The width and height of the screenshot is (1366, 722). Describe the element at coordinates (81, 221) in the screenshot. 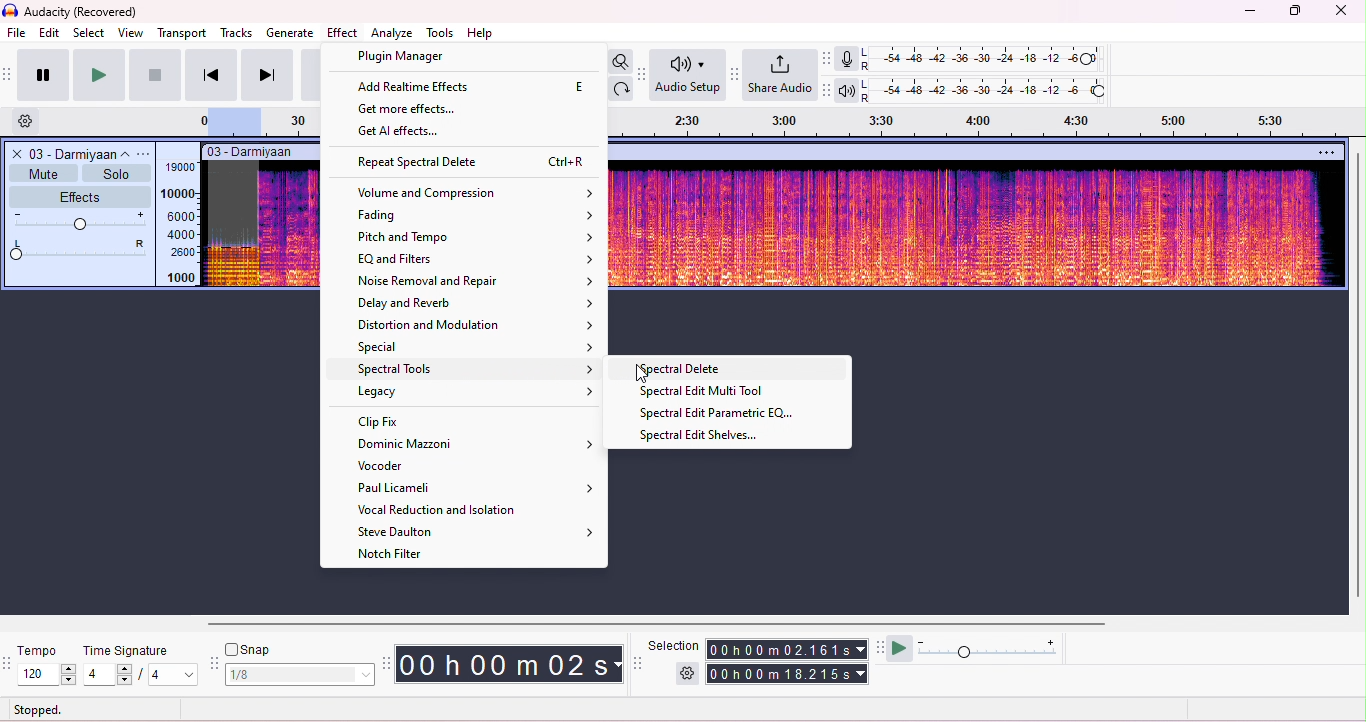

I see `volume` at that location.